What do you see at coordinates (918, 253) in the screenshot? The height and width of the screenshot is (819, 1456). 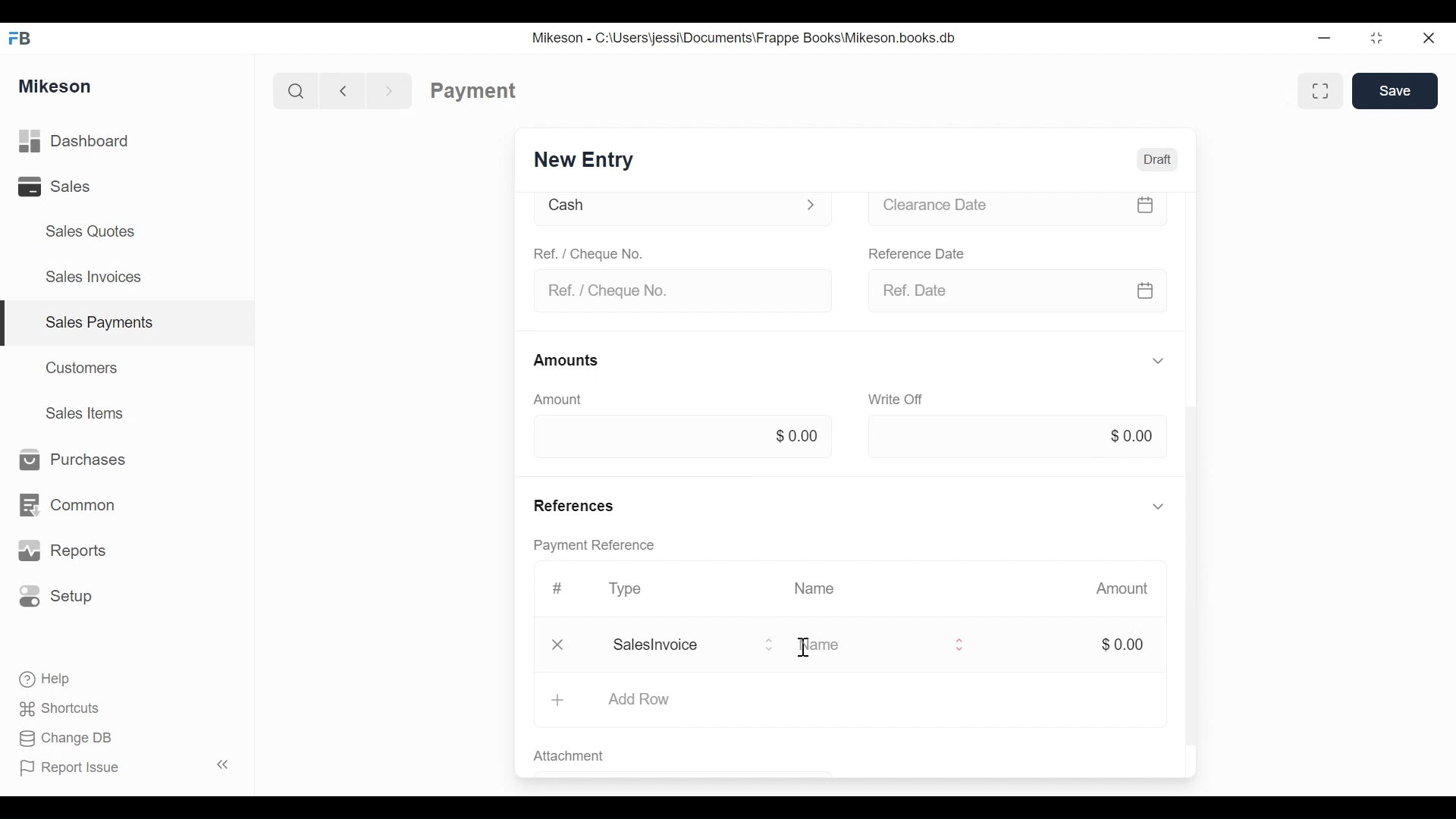 I see `Reference date` at bounding box center [918, 253].